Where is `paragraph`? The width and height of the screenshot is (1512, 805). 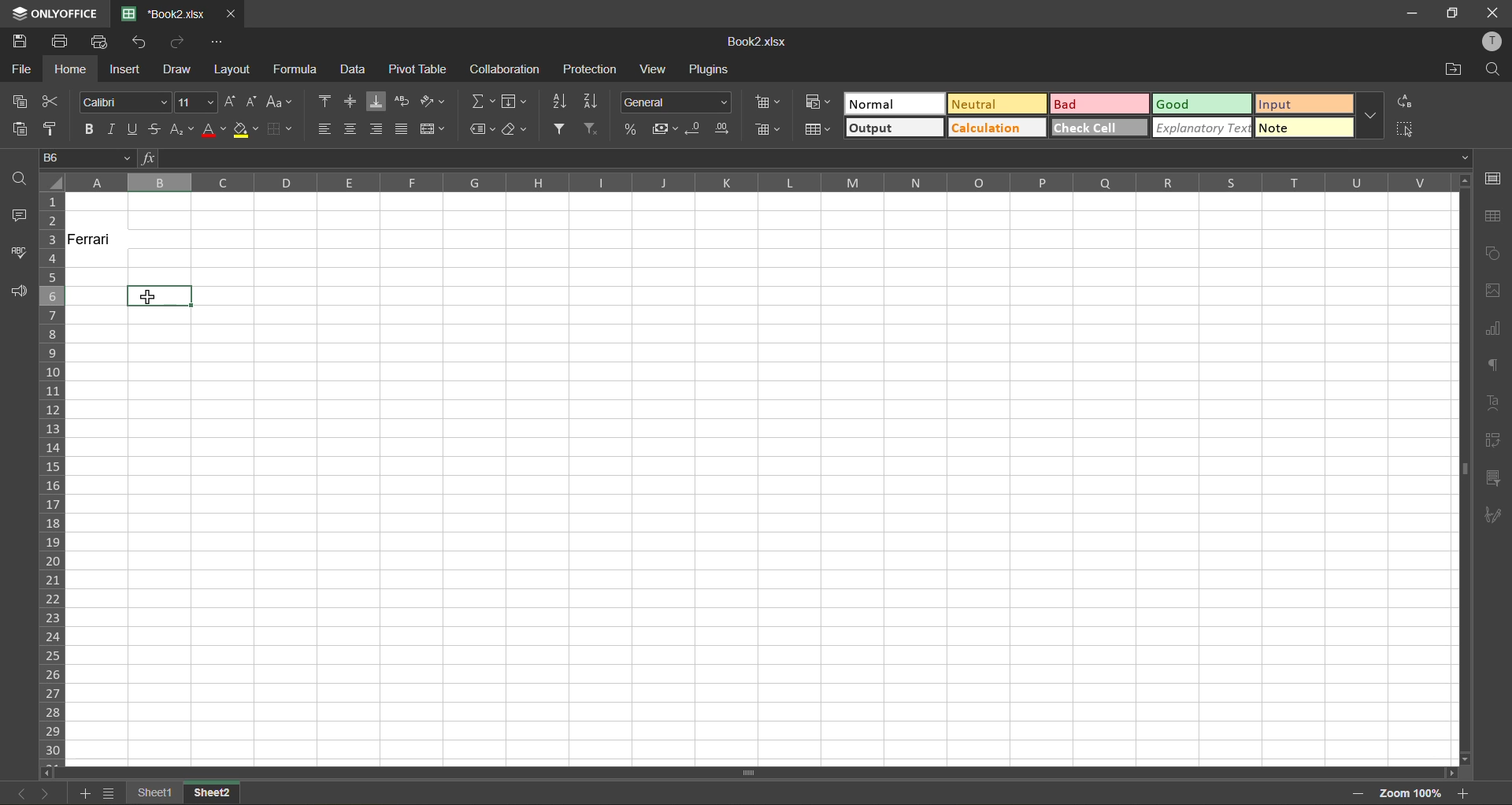 paragraph is located at coordinates (1494, 367).